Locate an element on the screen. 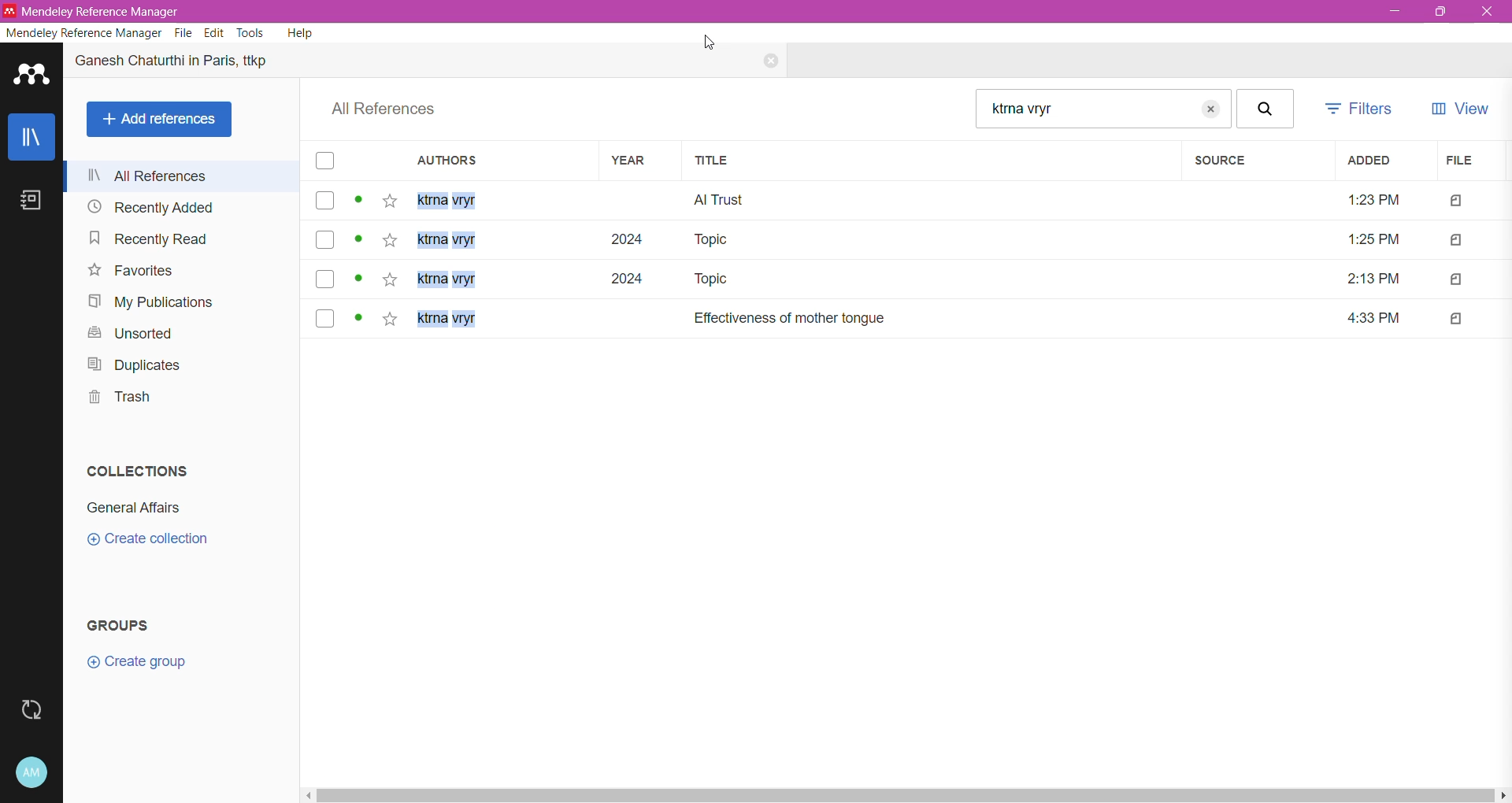  file type is located at coordinates (1454, 240).